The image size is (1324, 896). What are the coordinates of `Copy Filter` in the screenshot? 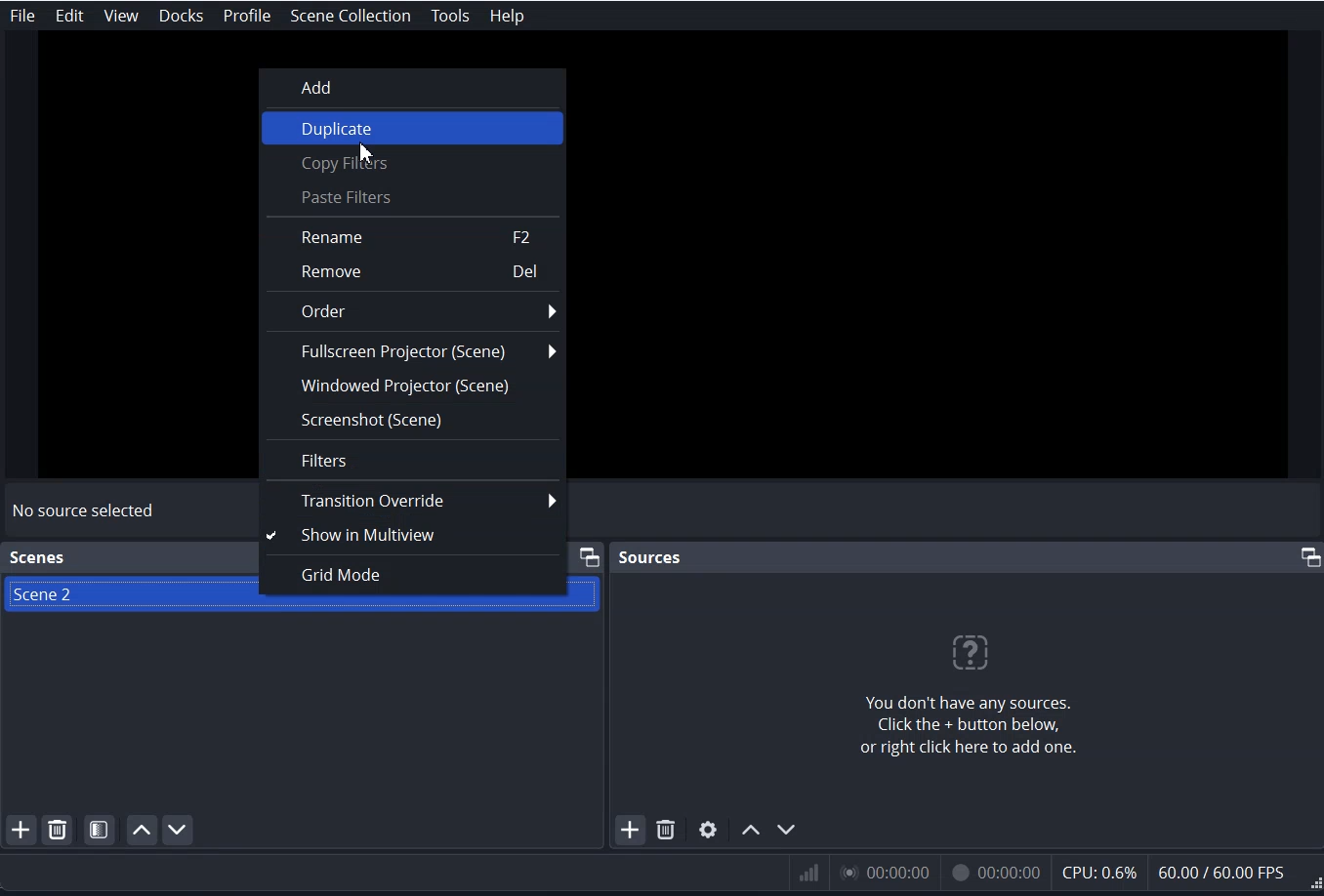 It's located at (412, 164).